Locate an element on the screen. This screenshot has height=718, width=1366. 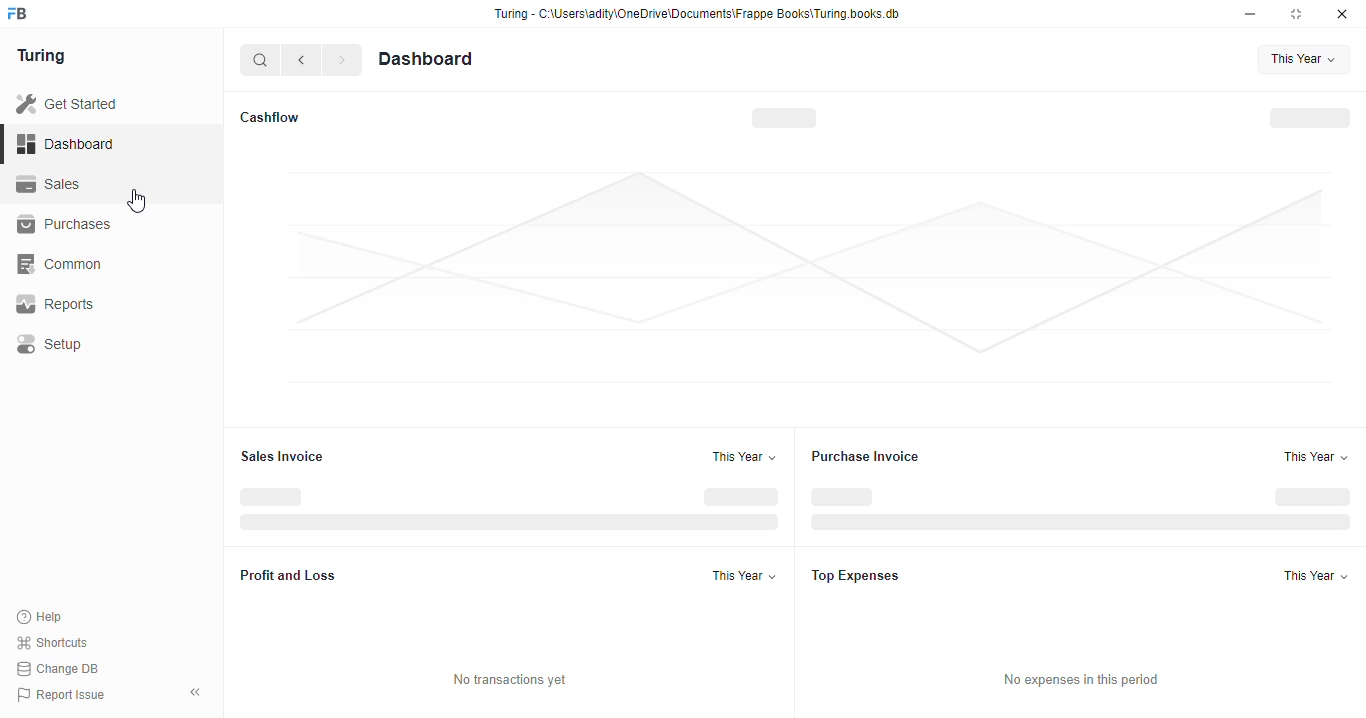
Dashboard is located at coordinates (95, 143).